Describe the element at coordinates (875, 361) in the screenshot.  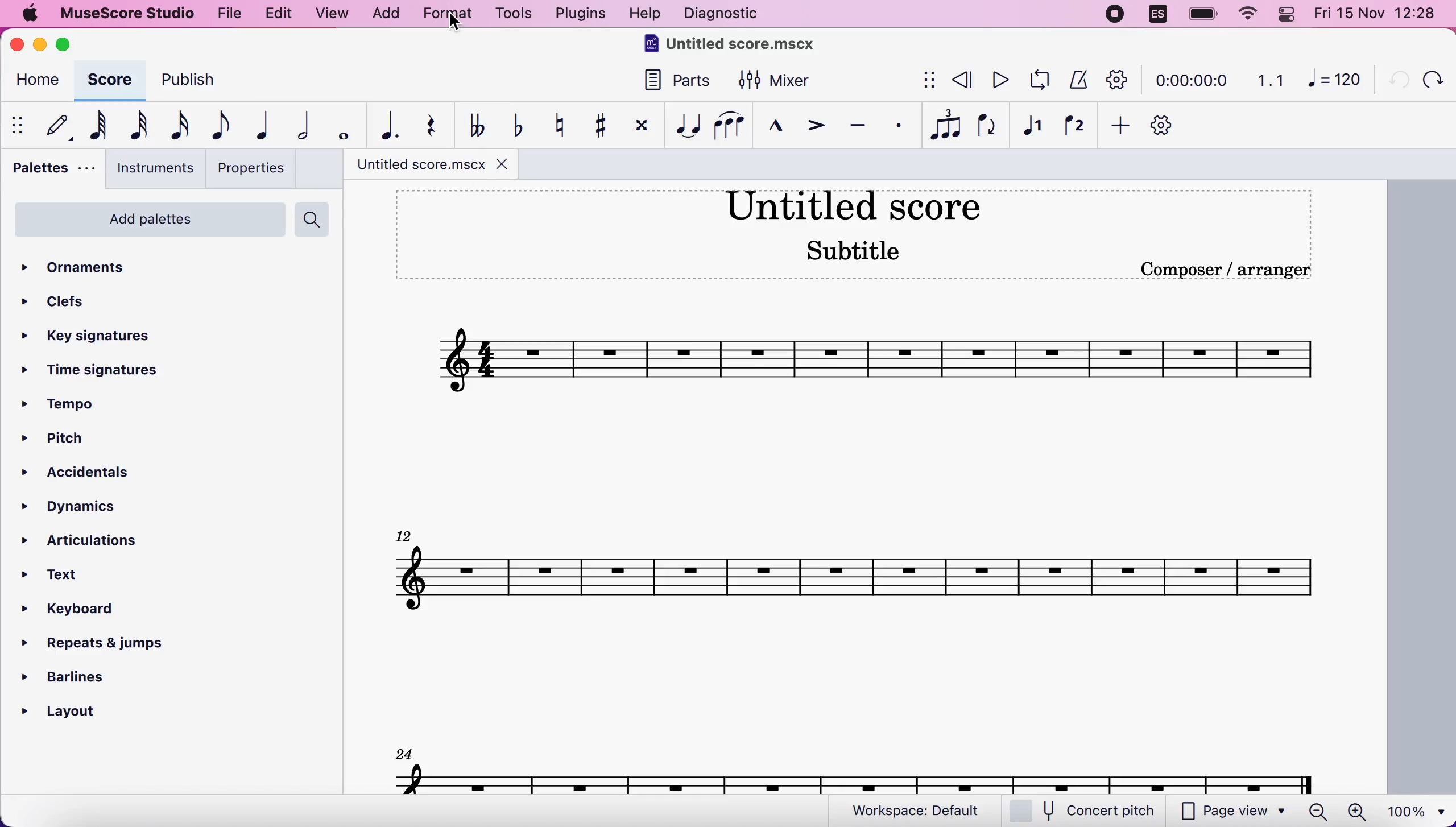
I see `score` at that location.